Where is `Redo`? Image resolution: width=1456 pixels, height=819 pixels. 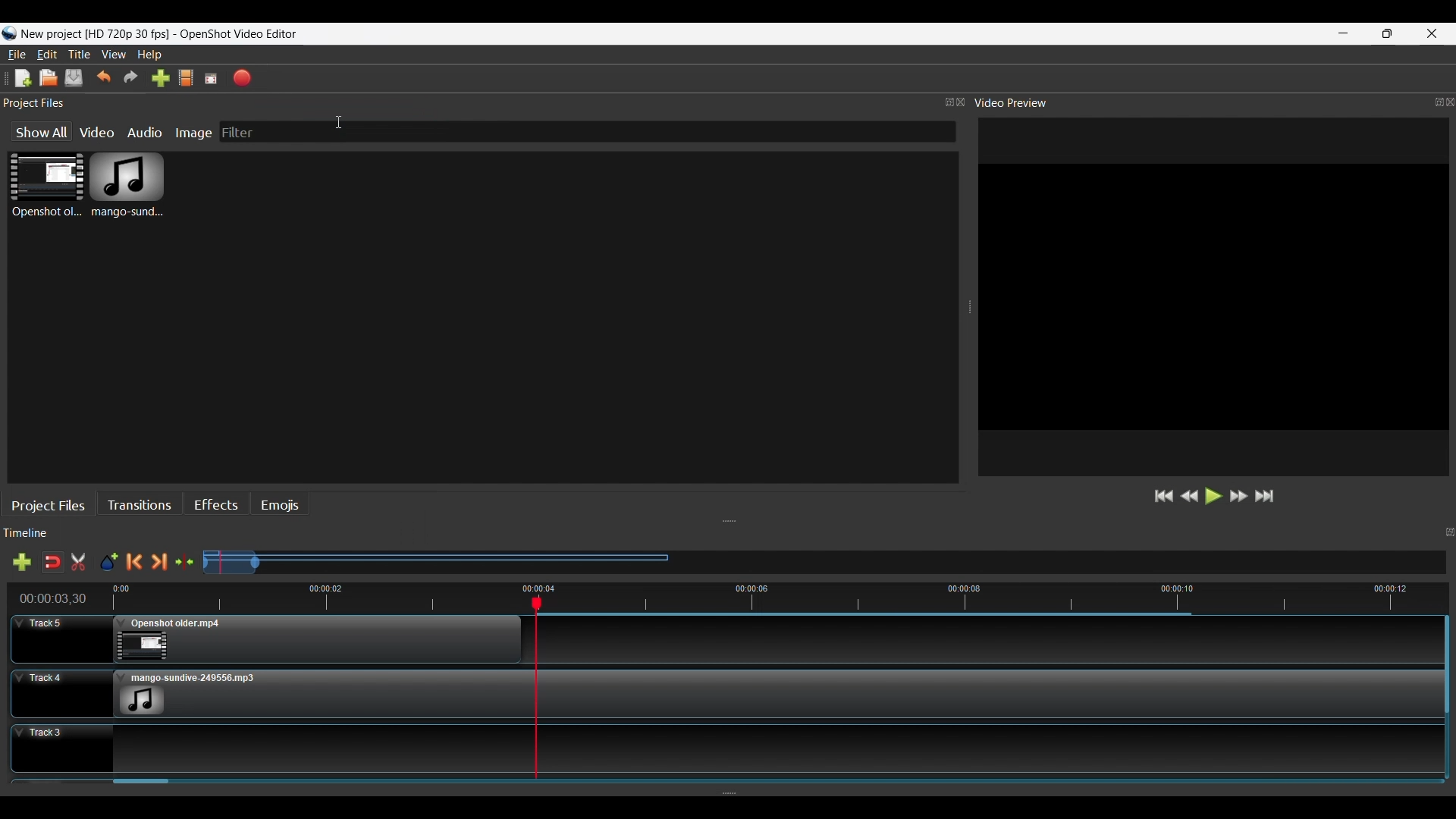
Redo is located at coordinates (132, 77).